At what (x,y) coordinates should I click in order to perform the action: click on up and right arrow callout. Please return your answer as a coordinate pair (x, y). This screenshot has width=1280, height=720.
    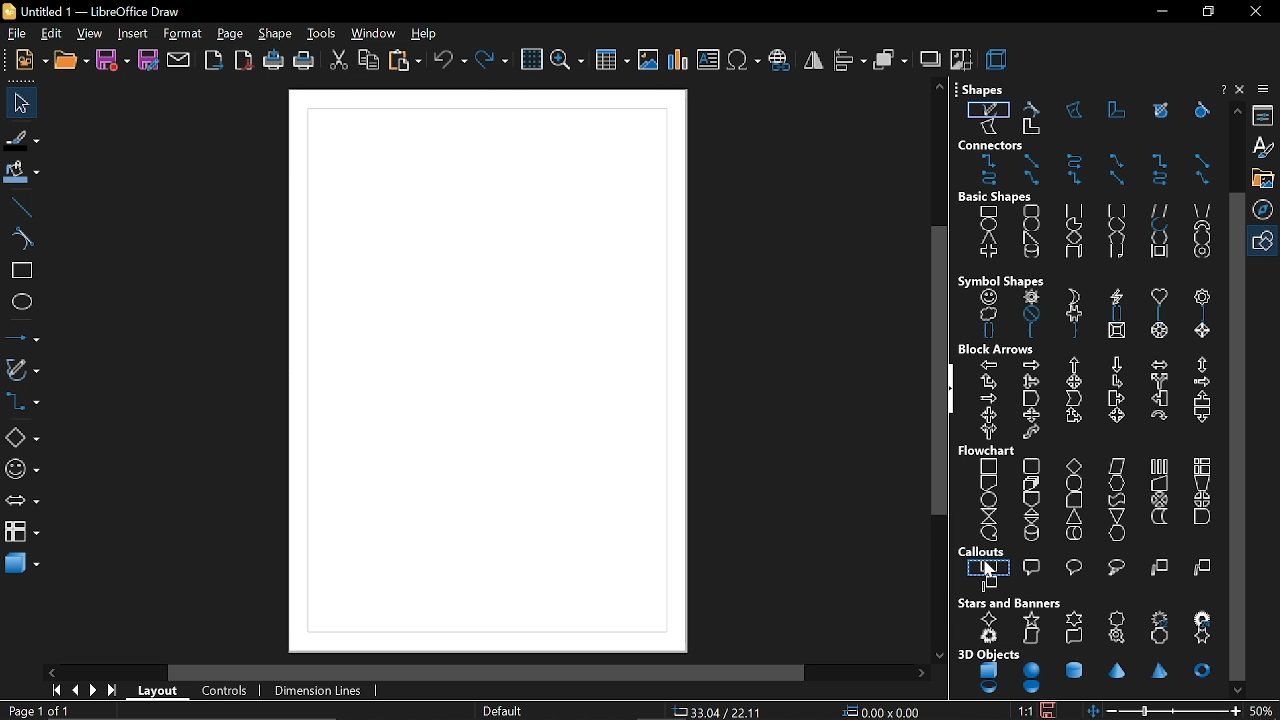
    Looking at the image, I should click on (1073, 418).